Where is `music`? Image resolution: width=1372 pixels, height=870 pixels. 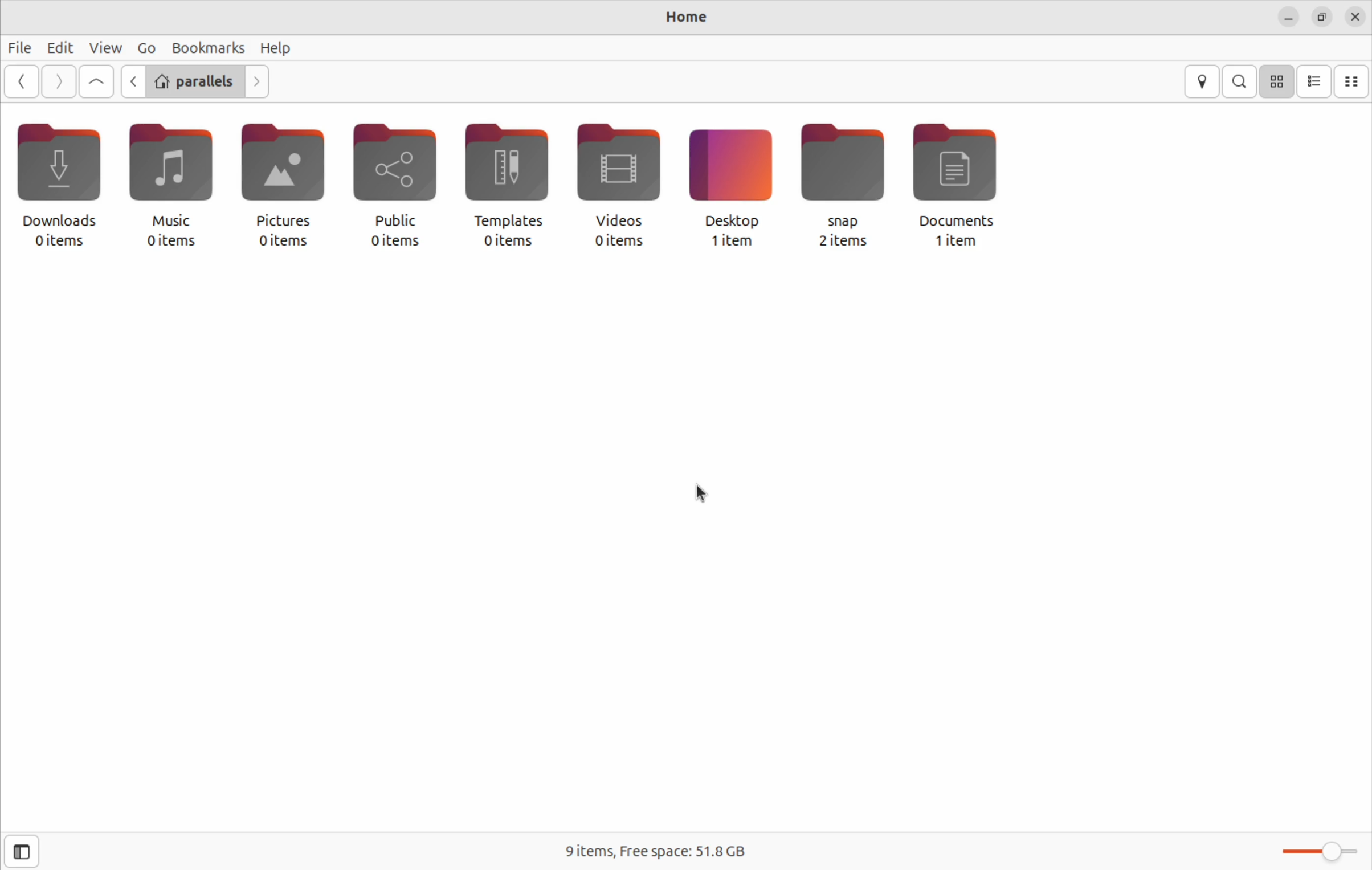
music is located at coordinates (172, 173).